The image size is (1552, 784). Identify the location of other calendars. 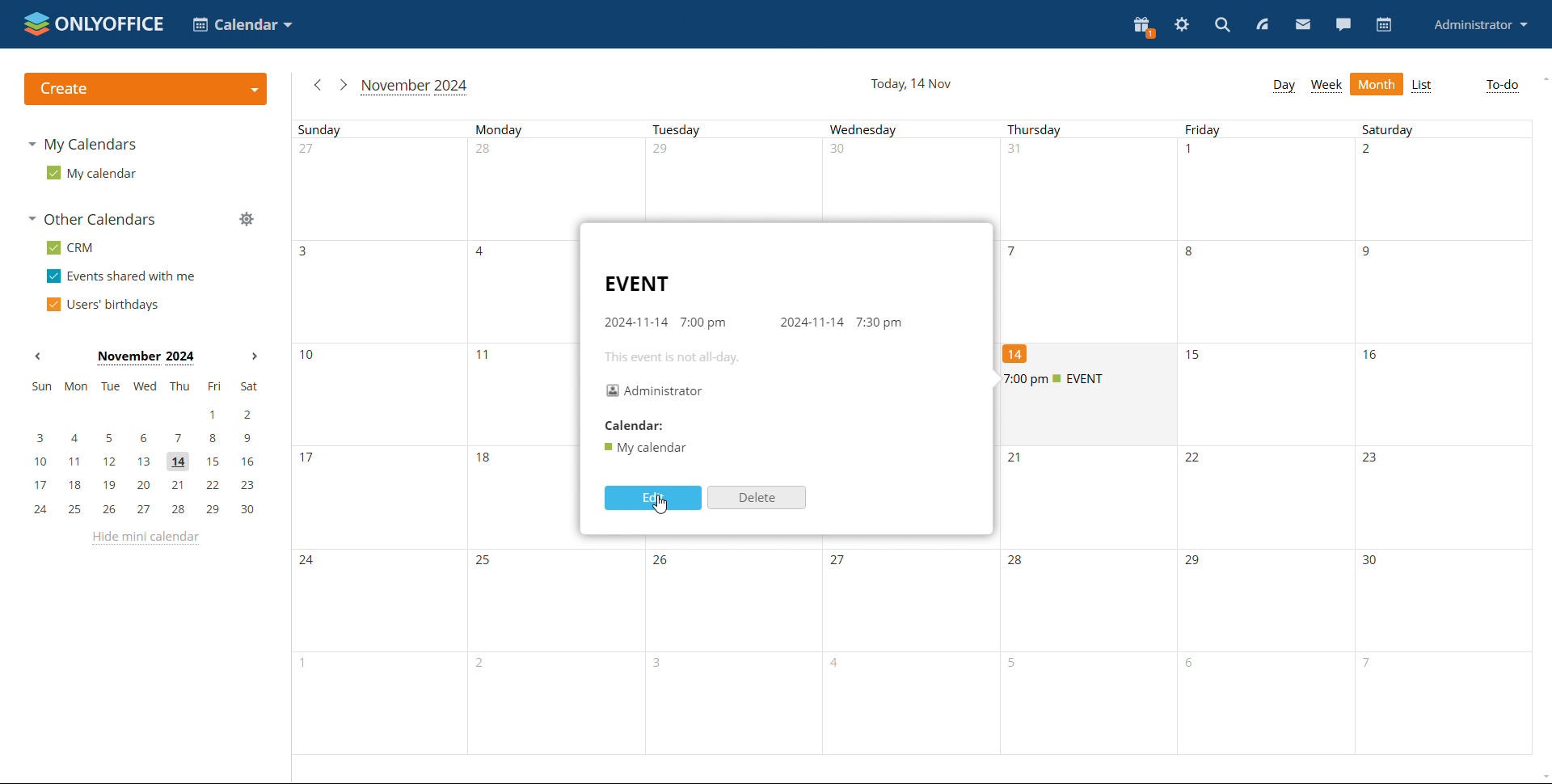
(92, 218).